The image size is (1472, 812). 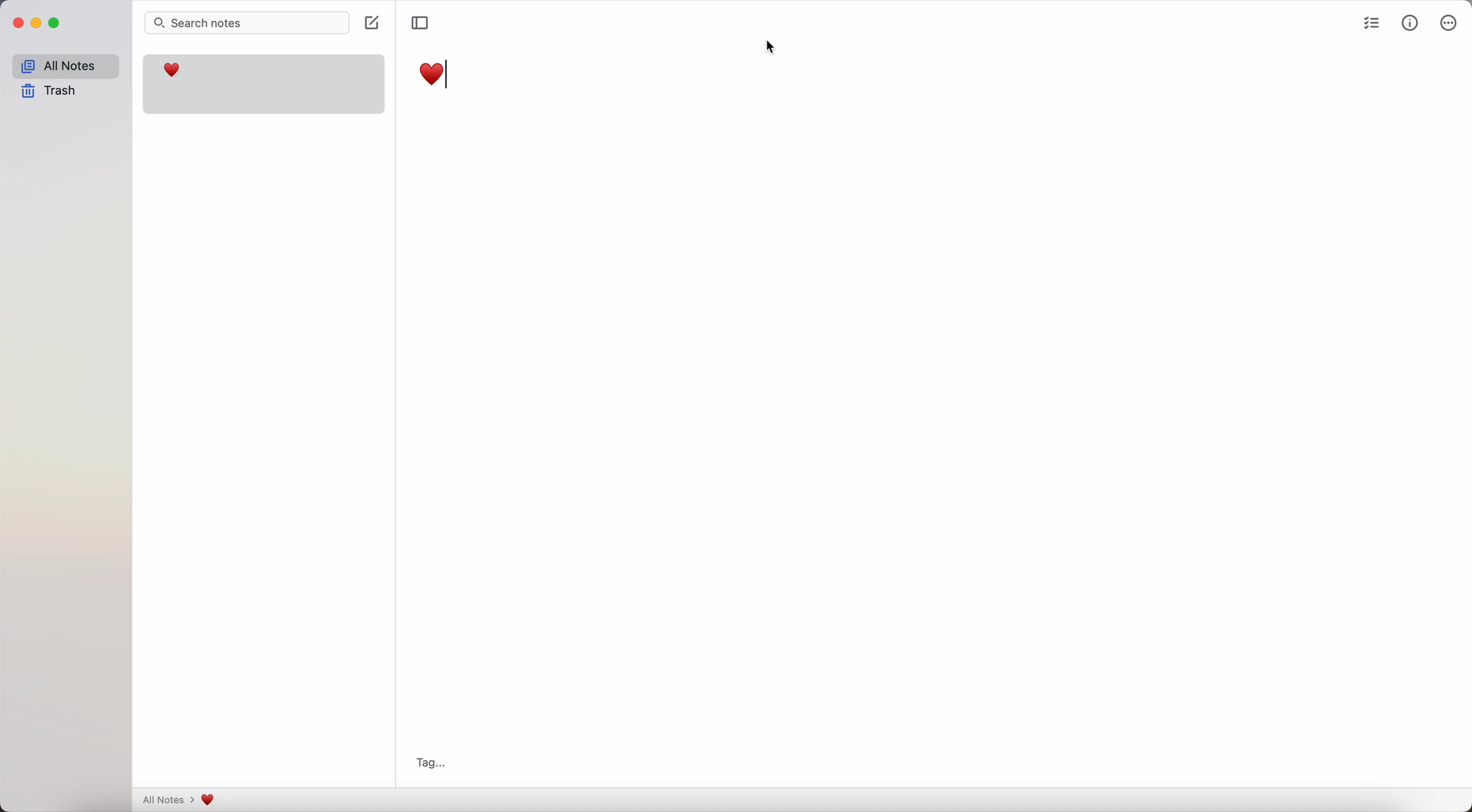 What do you see at coordinates (428, 761) in the screenshot?
I see `tag` at bounding box center [428, 761].